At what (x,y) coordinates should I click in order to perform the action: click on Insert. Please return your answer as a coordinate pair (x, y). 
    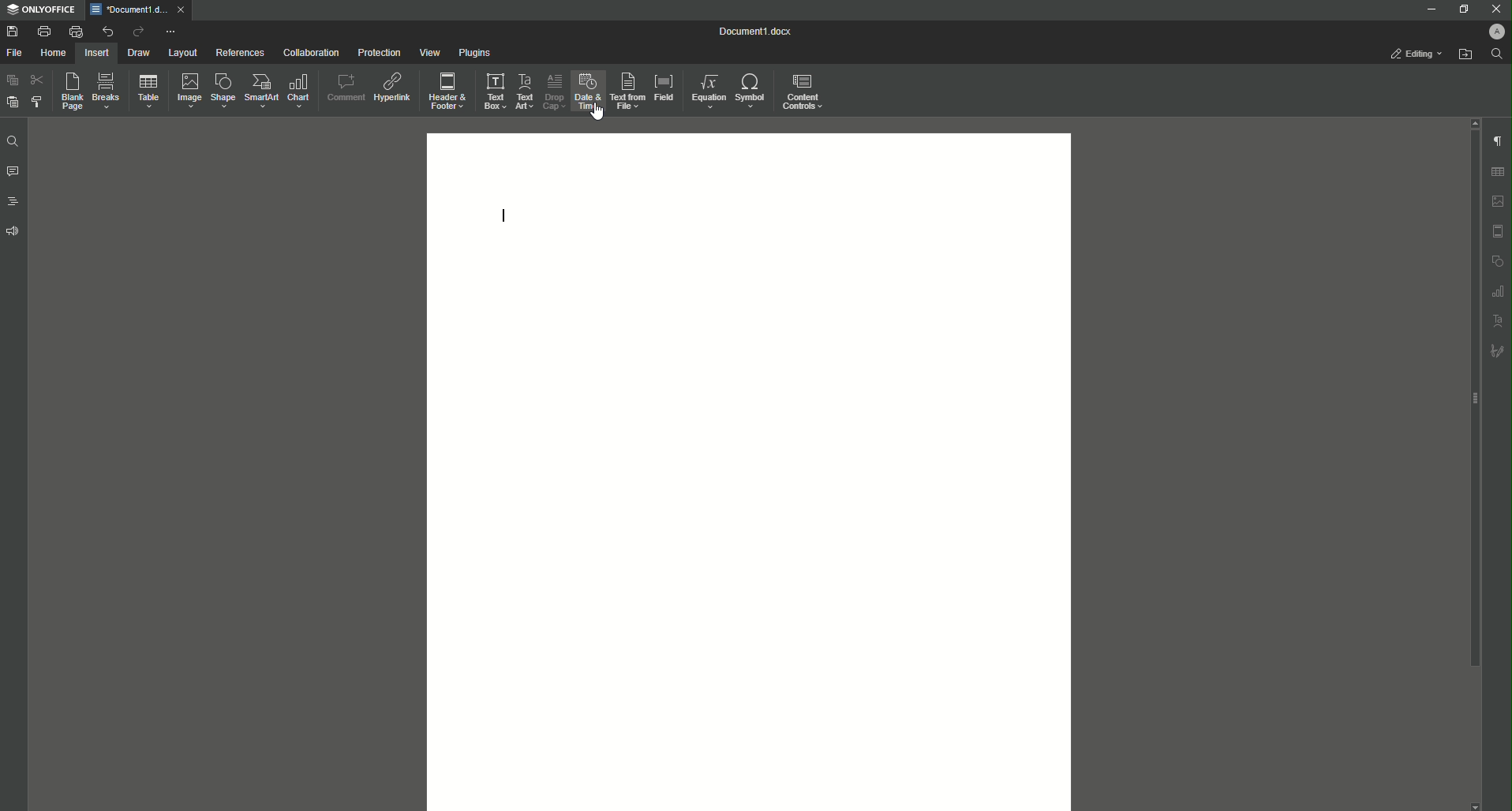
    Looking at the image, I should click on (97, 52).